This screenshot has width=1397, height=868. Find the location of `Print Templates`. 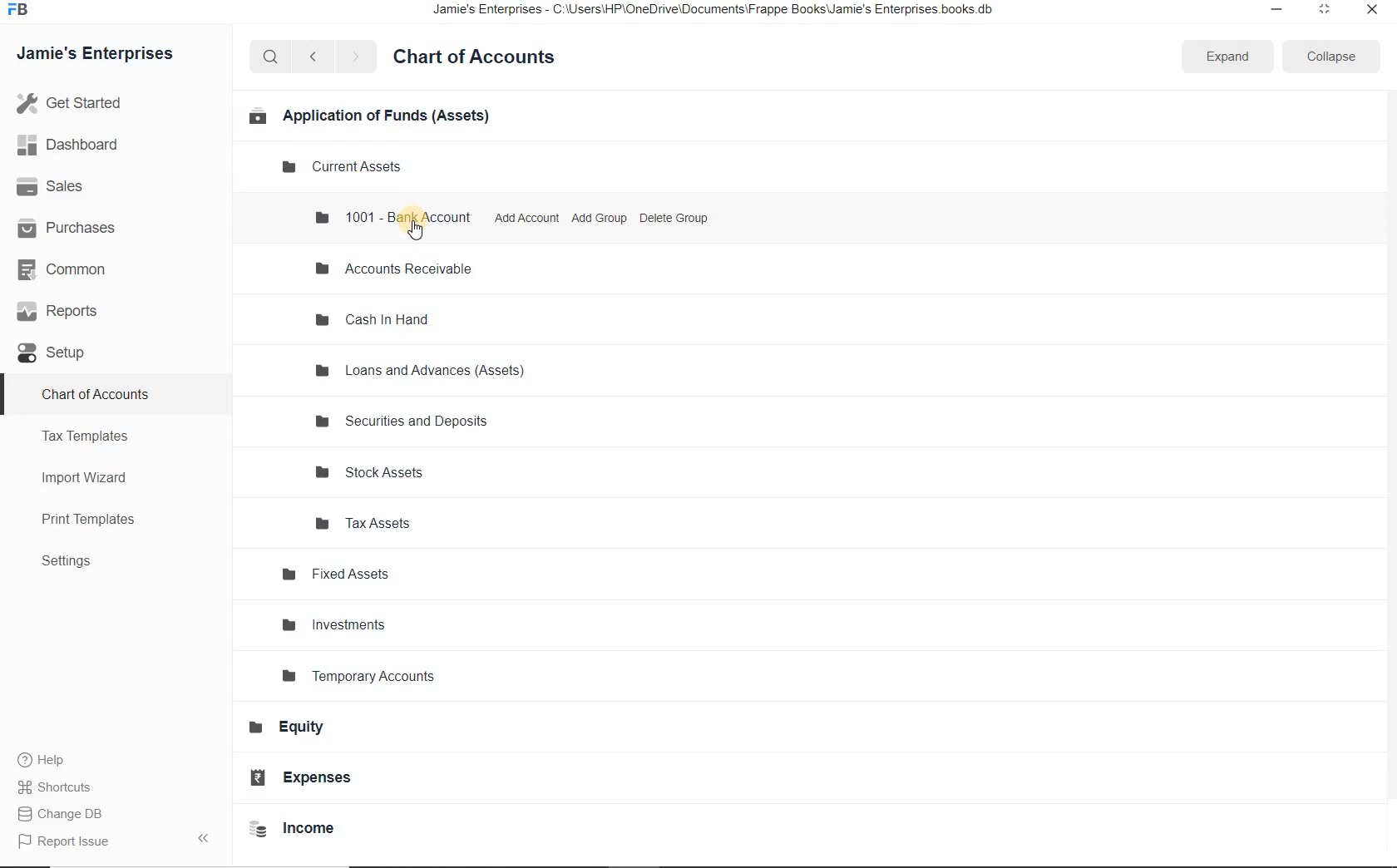

Print Templates is located at coordinates (97, 520).